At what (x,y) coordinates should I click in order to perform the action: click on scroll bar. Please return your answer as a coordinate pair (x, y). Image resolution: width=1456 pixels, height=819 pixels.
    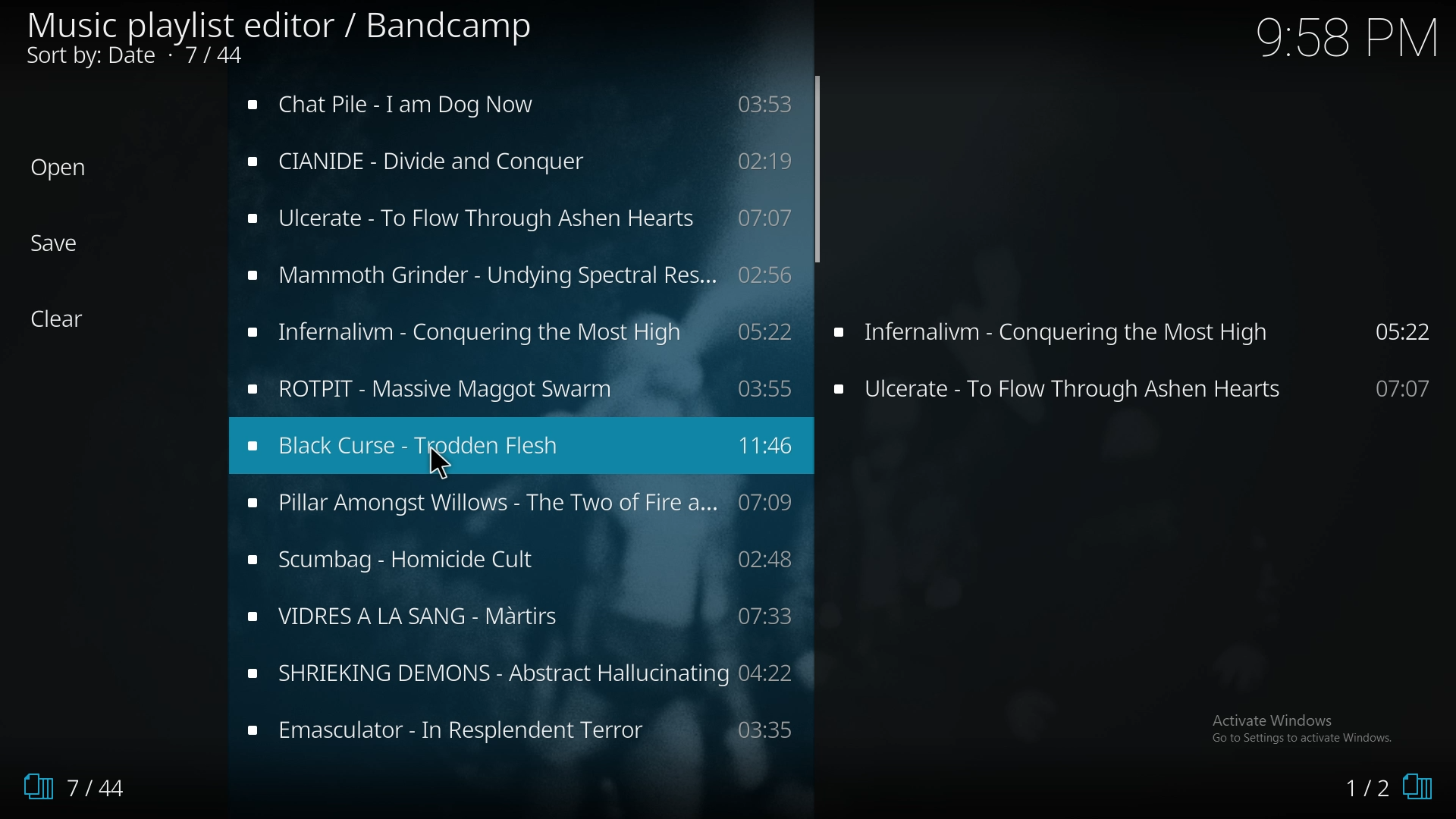
    Looking at the image, I should click on (823, 175).